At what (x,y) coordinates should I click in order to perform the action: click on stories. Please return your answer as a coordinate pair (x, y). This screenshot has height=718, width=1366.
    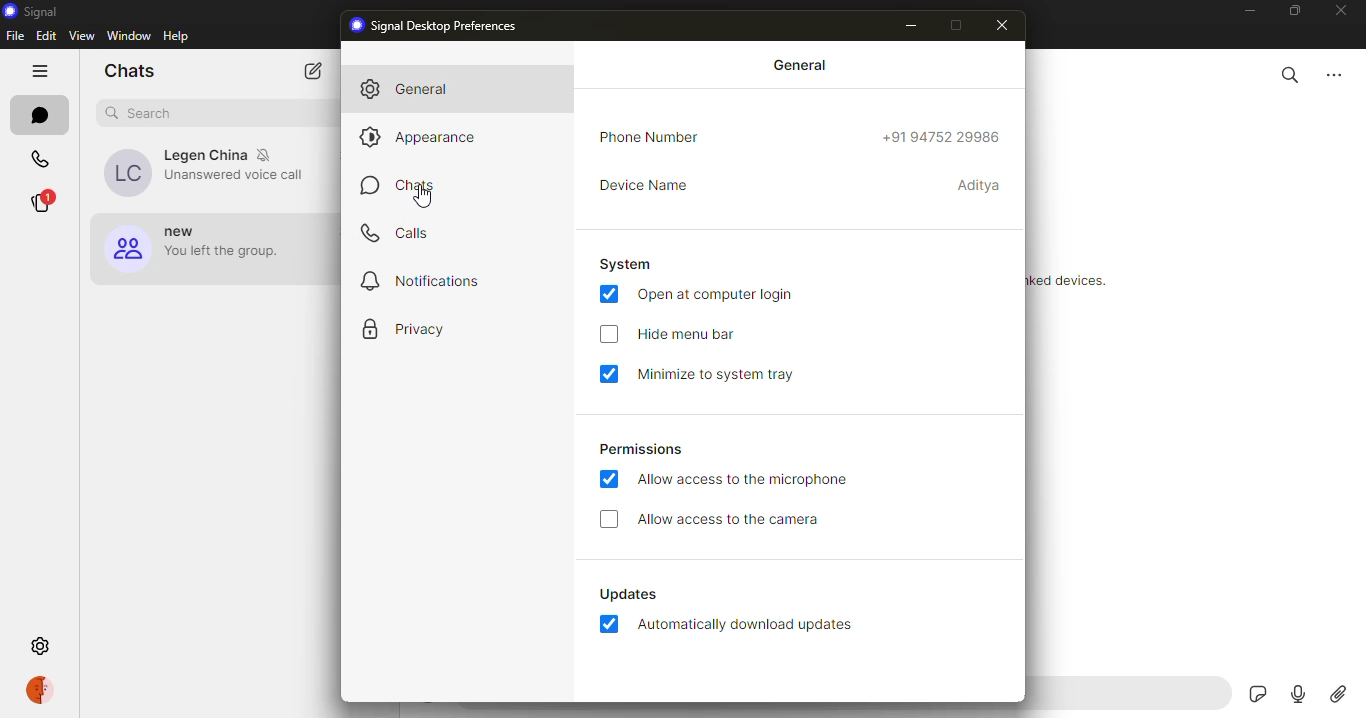
    Looking at the image, I should click on (47, 201).